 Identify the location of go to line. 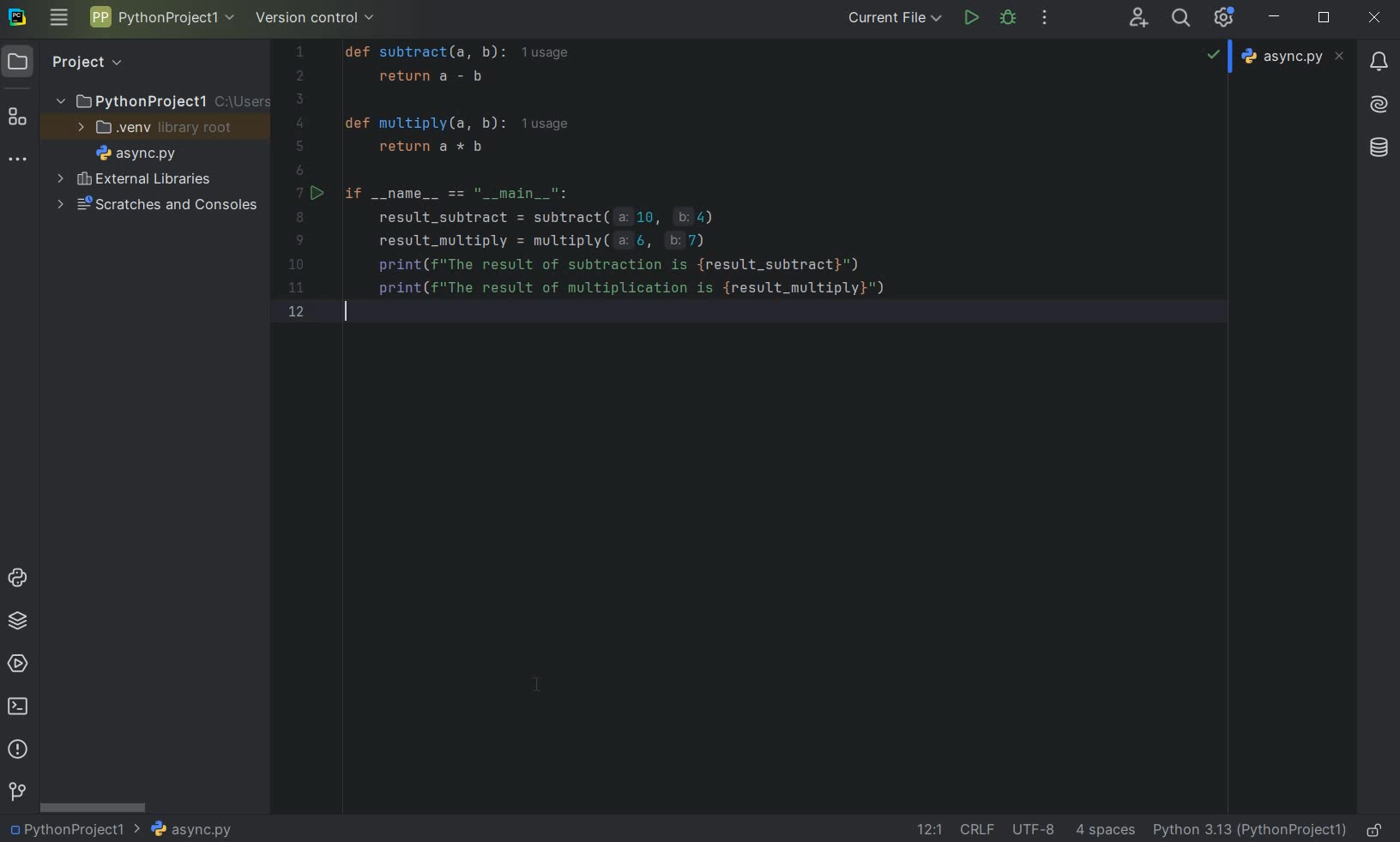
(927, 828).